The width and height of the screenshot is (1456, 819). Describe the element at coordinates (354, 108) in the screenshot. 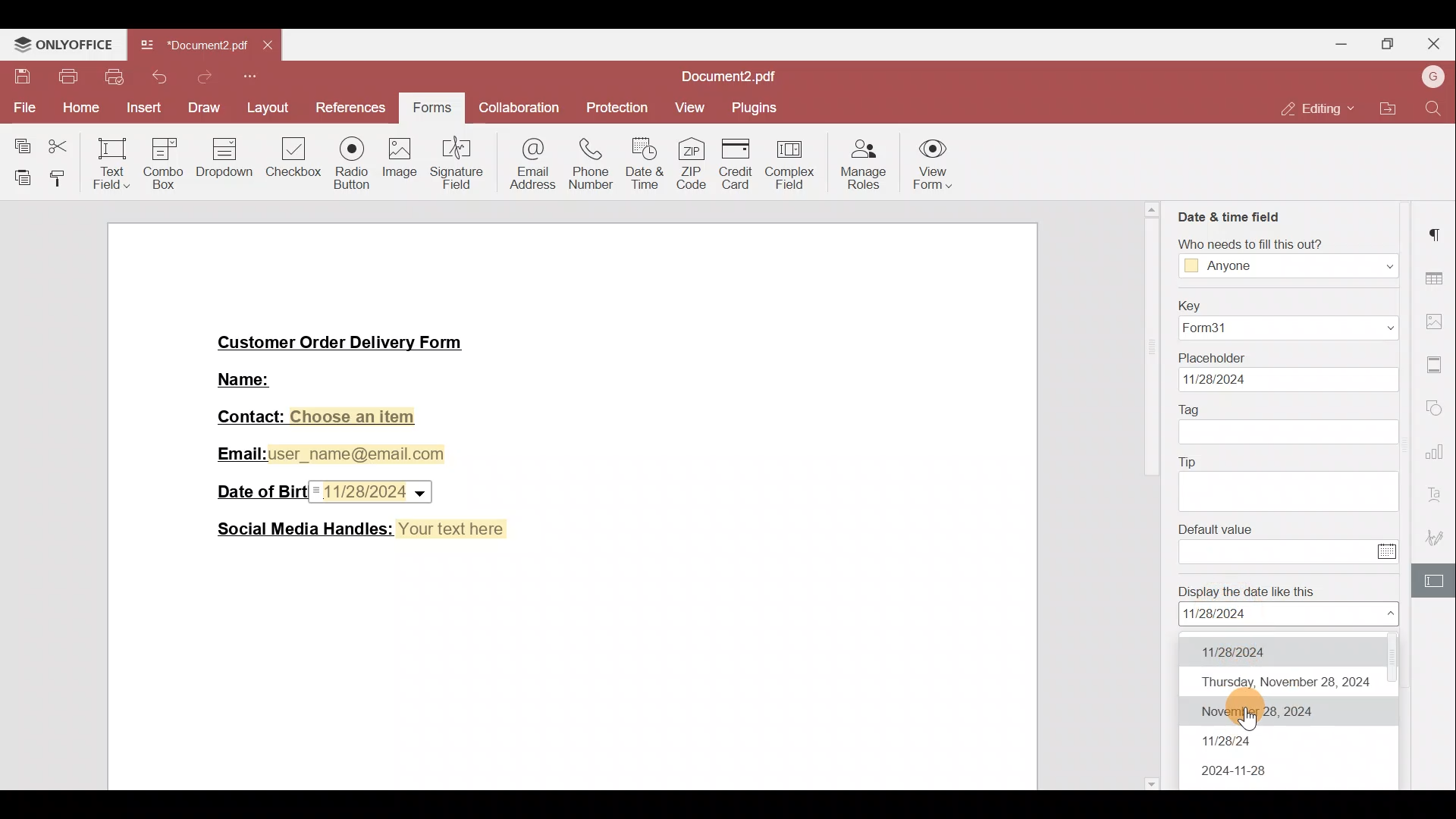

I see `References` at that location.